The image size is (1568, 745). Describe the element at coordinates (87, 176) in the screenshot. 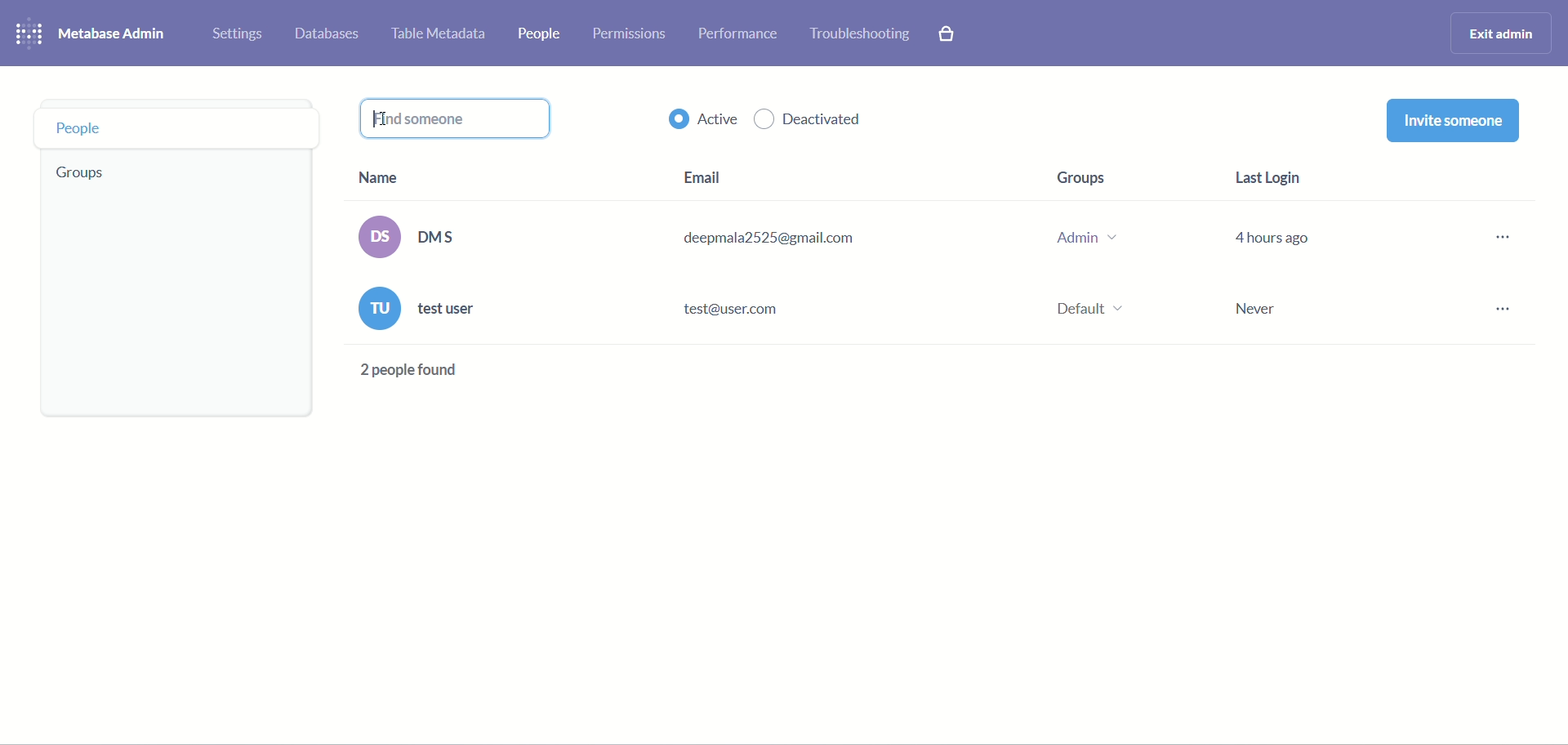

I see `groups` at that location.